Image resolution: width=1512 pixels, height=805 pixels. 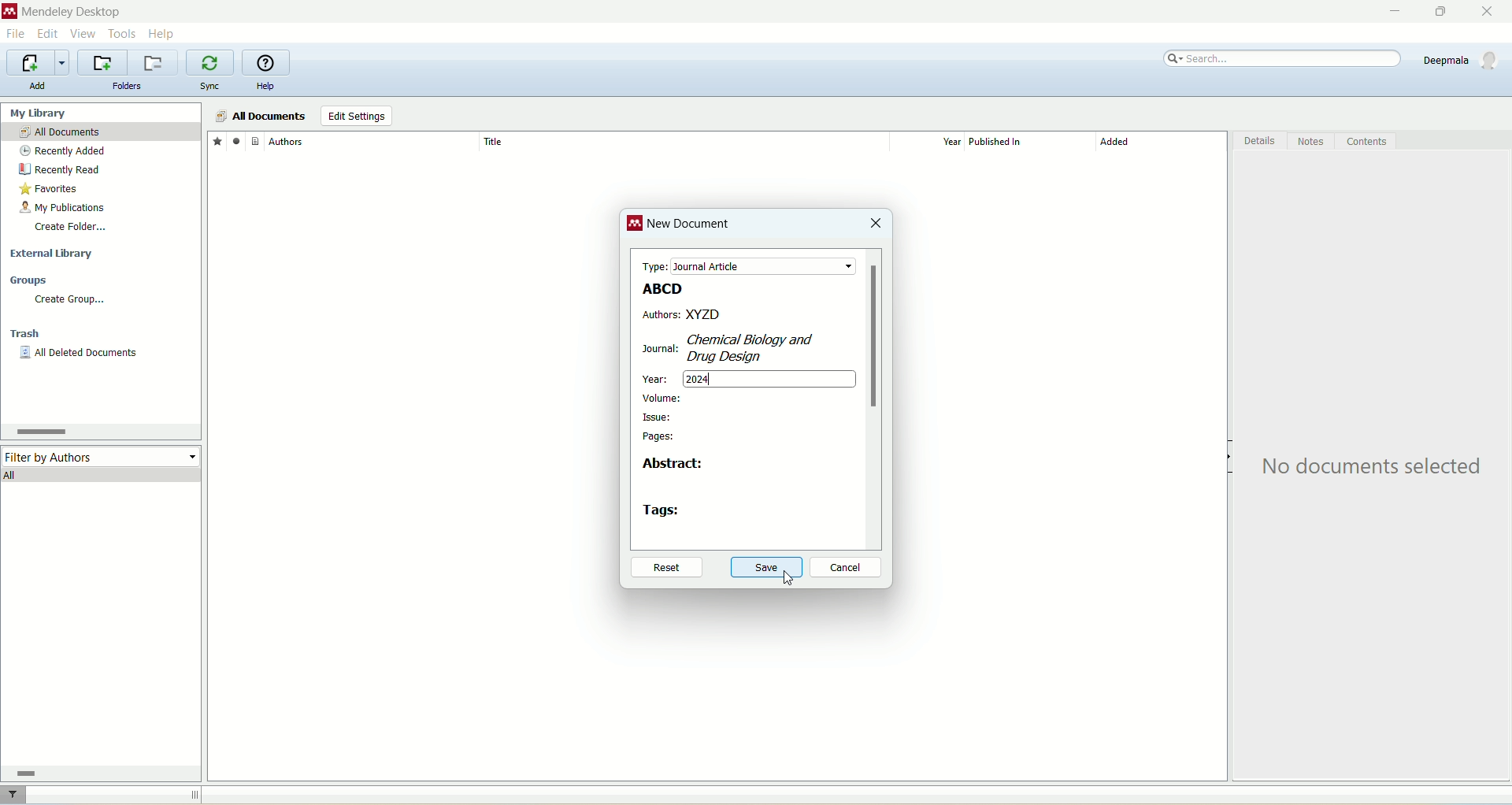 I want to click on 2024, so click(x=772, y=380).